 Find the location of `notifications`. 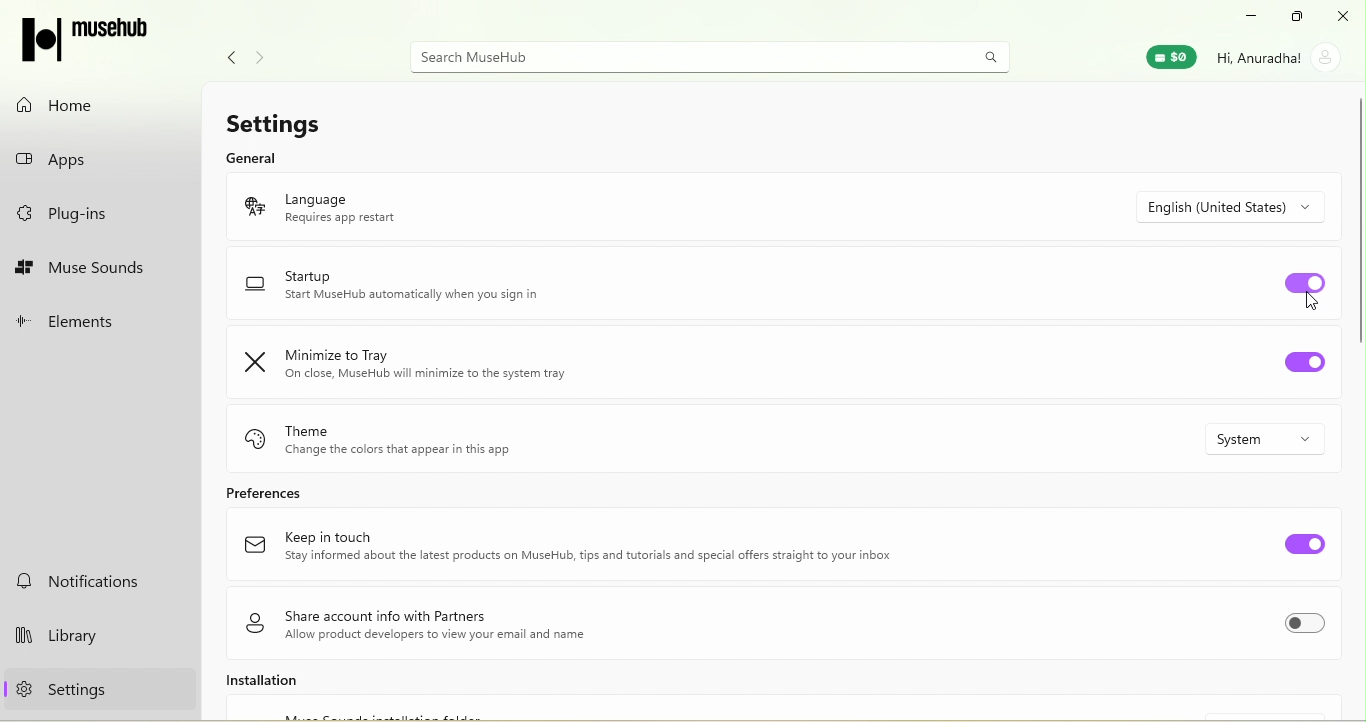

notifications is located at coordinates (88, 581).